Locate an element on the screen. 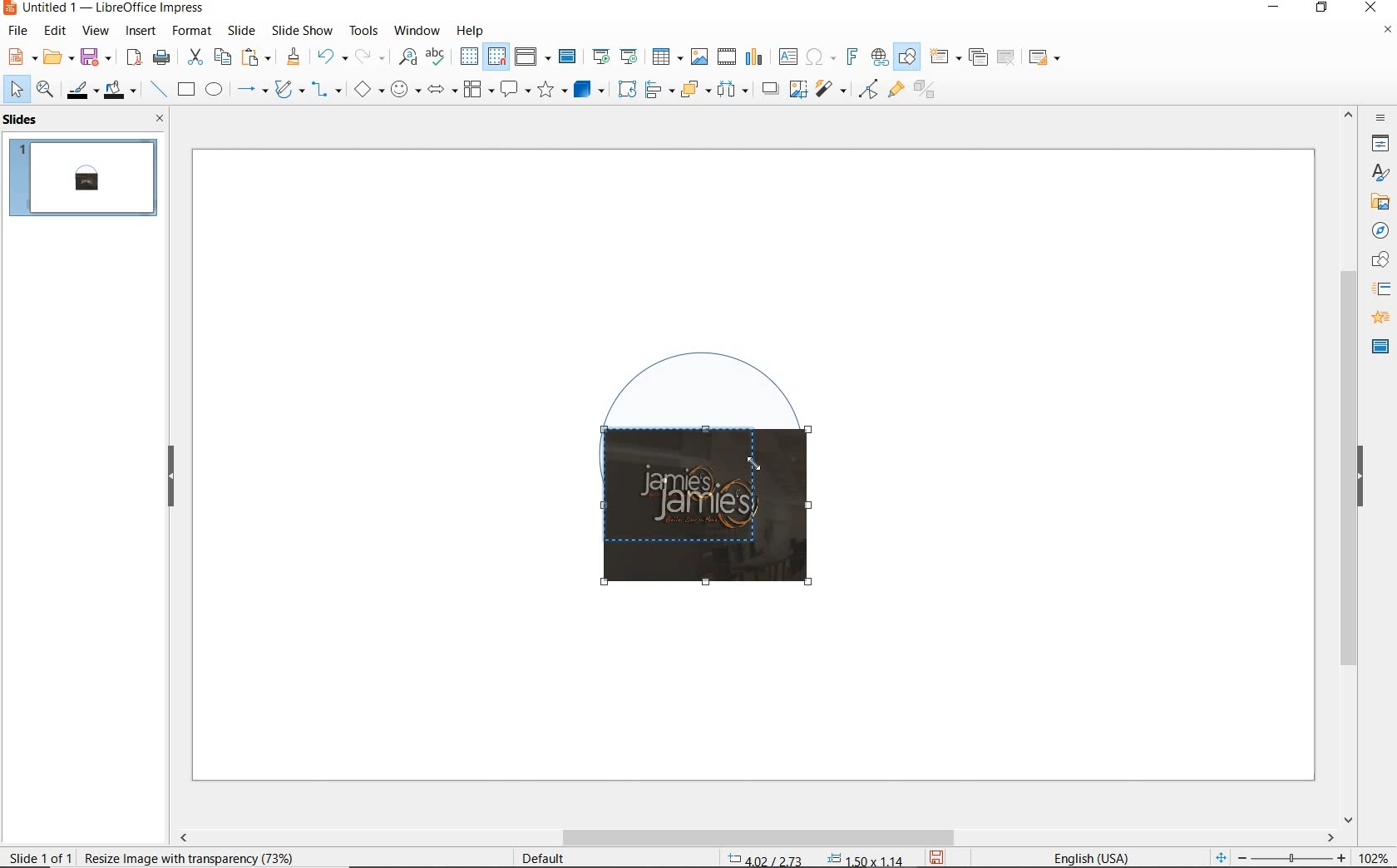  insert special characters is located at coordinates (817, 55).